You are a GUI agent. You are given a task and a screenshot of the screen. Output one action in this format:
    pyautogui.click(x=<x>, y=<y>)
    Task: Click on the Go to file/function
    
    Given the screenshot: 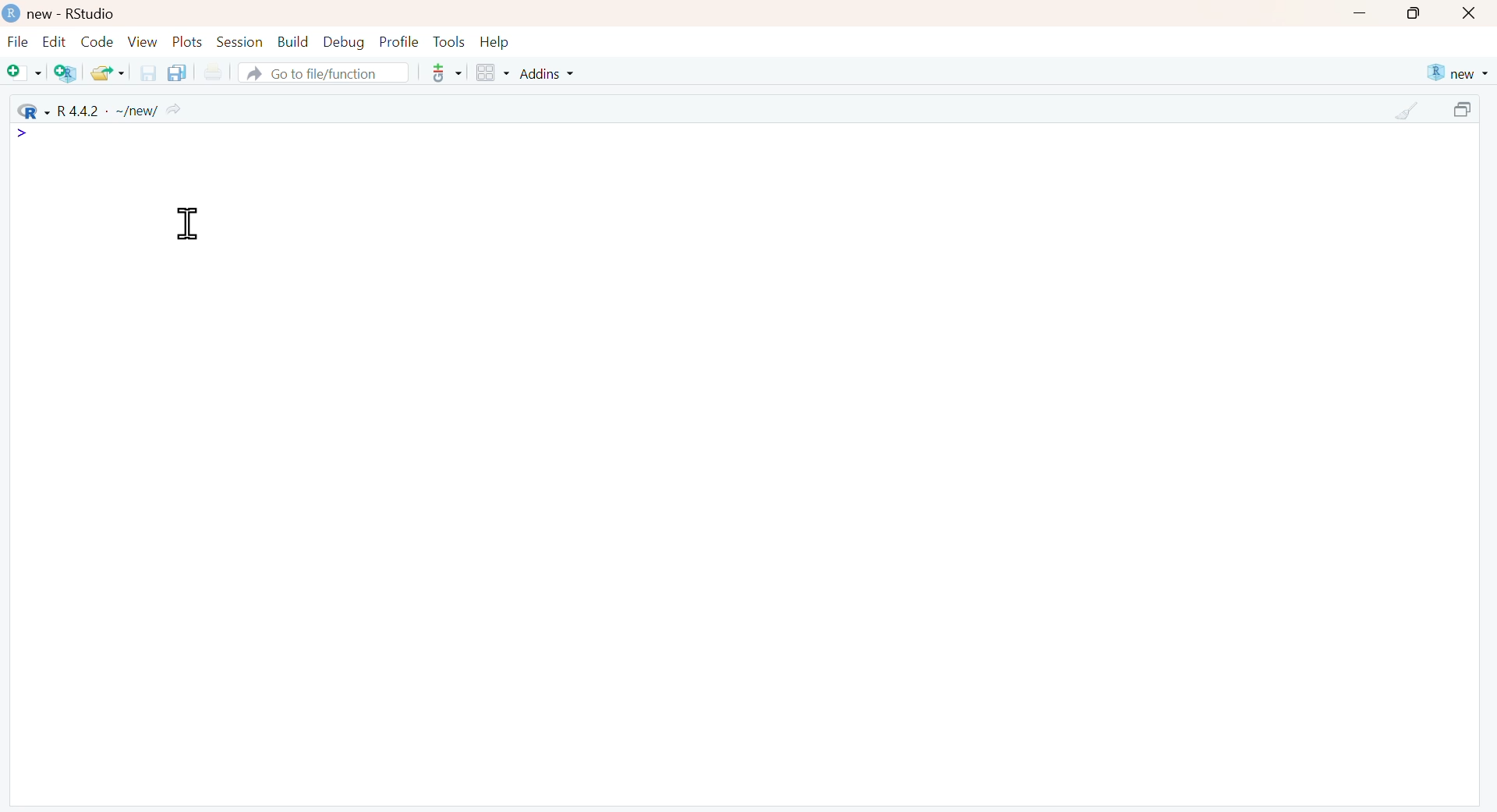 What is the action you would take?
    pyautogui.click(x=322, y=72)
    